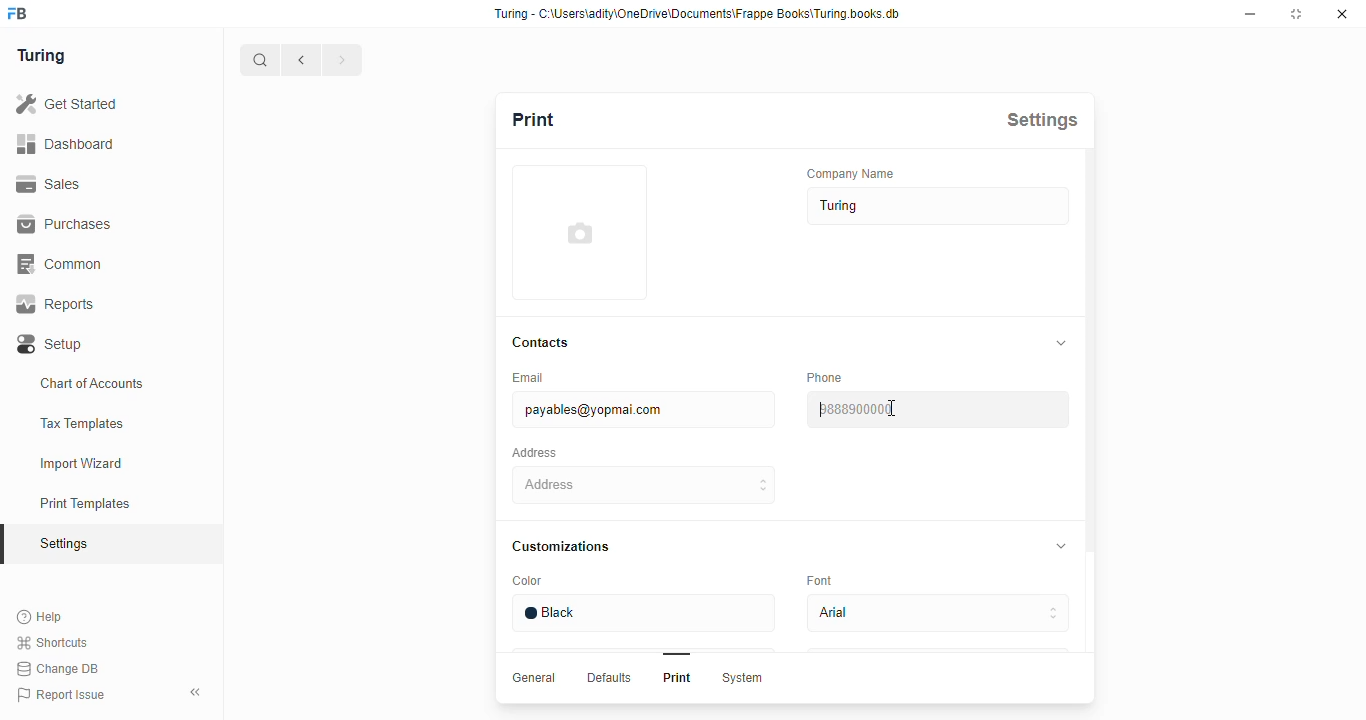 Image resolution: width=1366 pixels, height=720 pixels. Describe the element at coordinates (91, 102) in the screenshot. I see `Get Started` at that location.